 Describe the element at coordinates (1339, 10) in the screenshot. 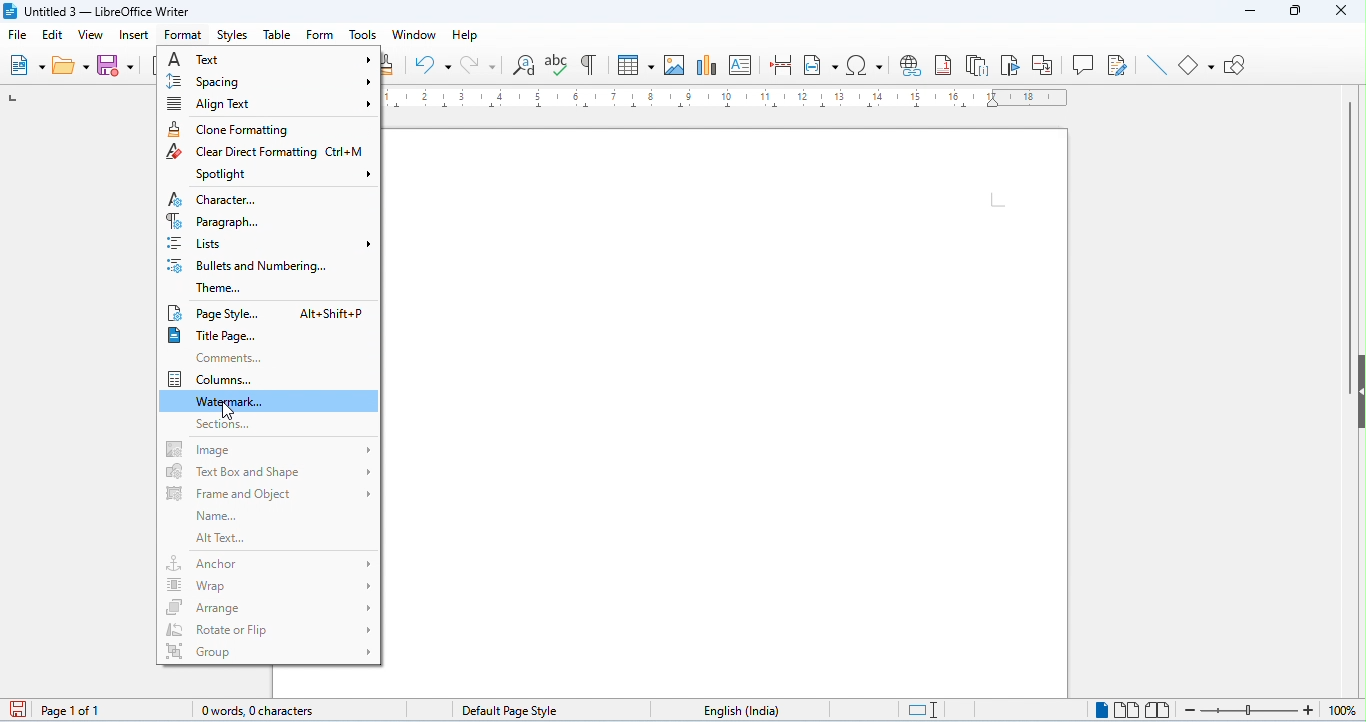

I see `close` at that location.